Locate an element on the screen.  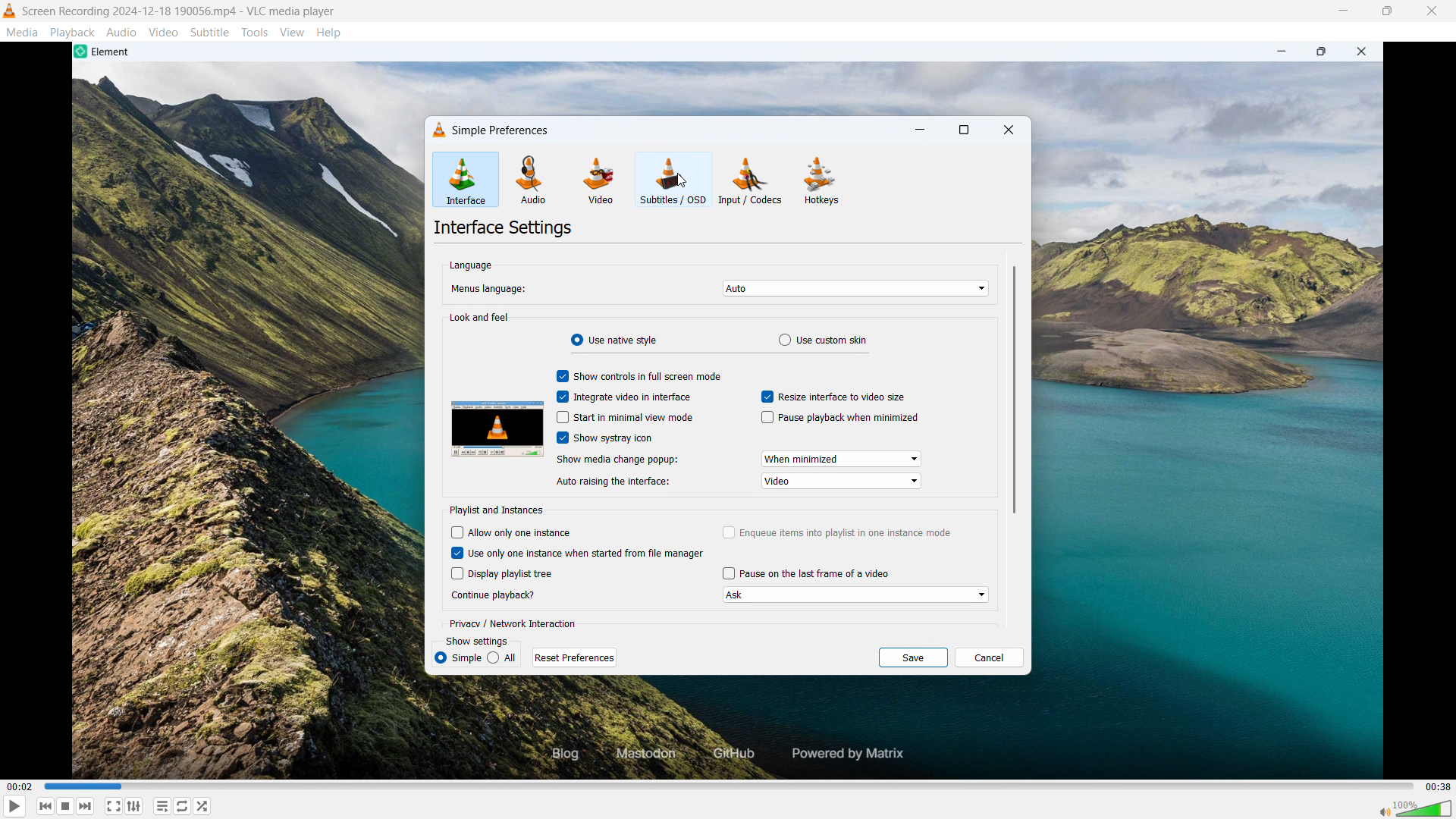
allow only one instance is located at coordinates (511, 532).